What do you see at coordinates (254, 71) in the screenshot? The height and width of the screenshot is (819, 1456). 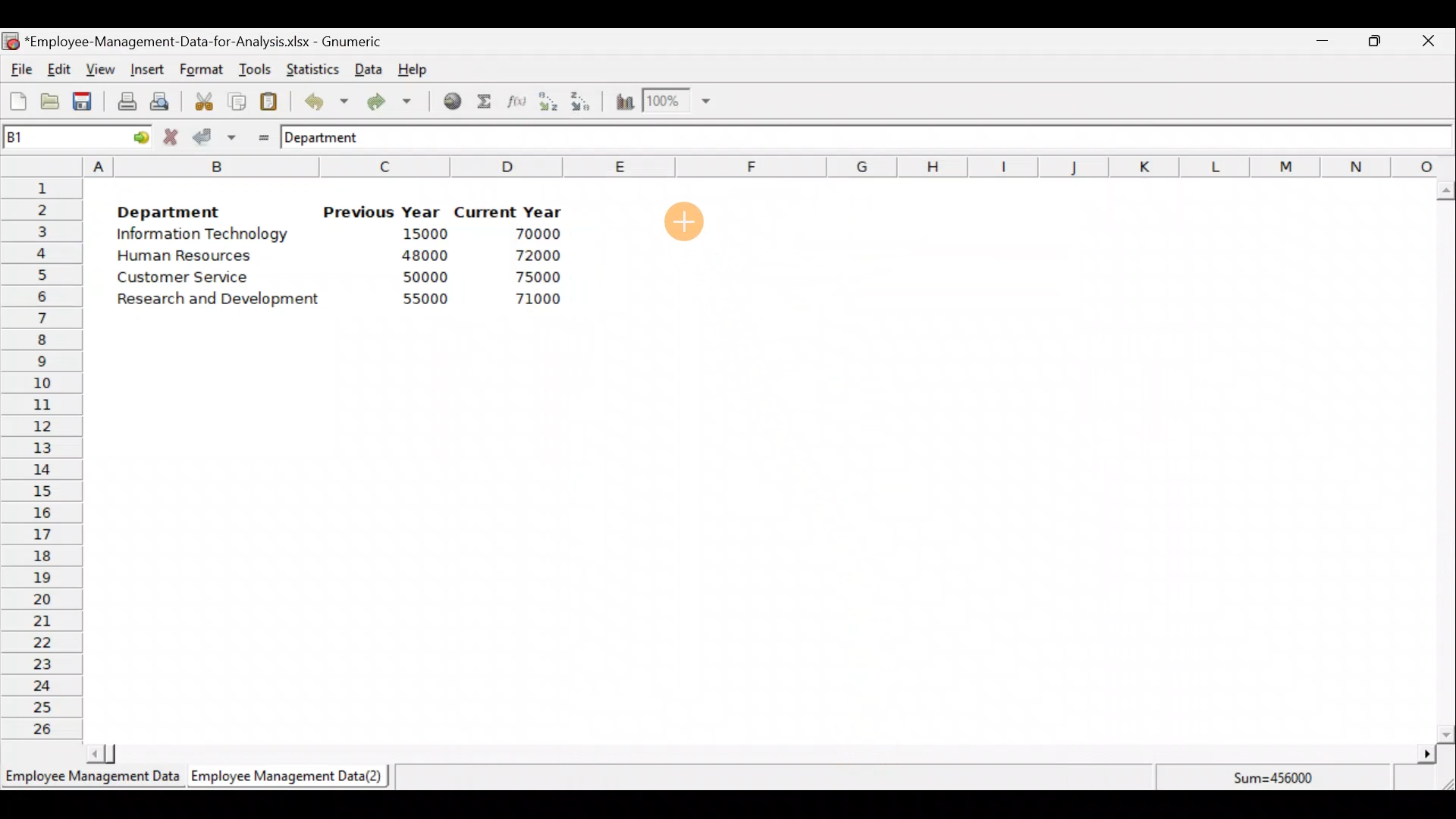 I see `Tools` at bounding box center [254, 71].